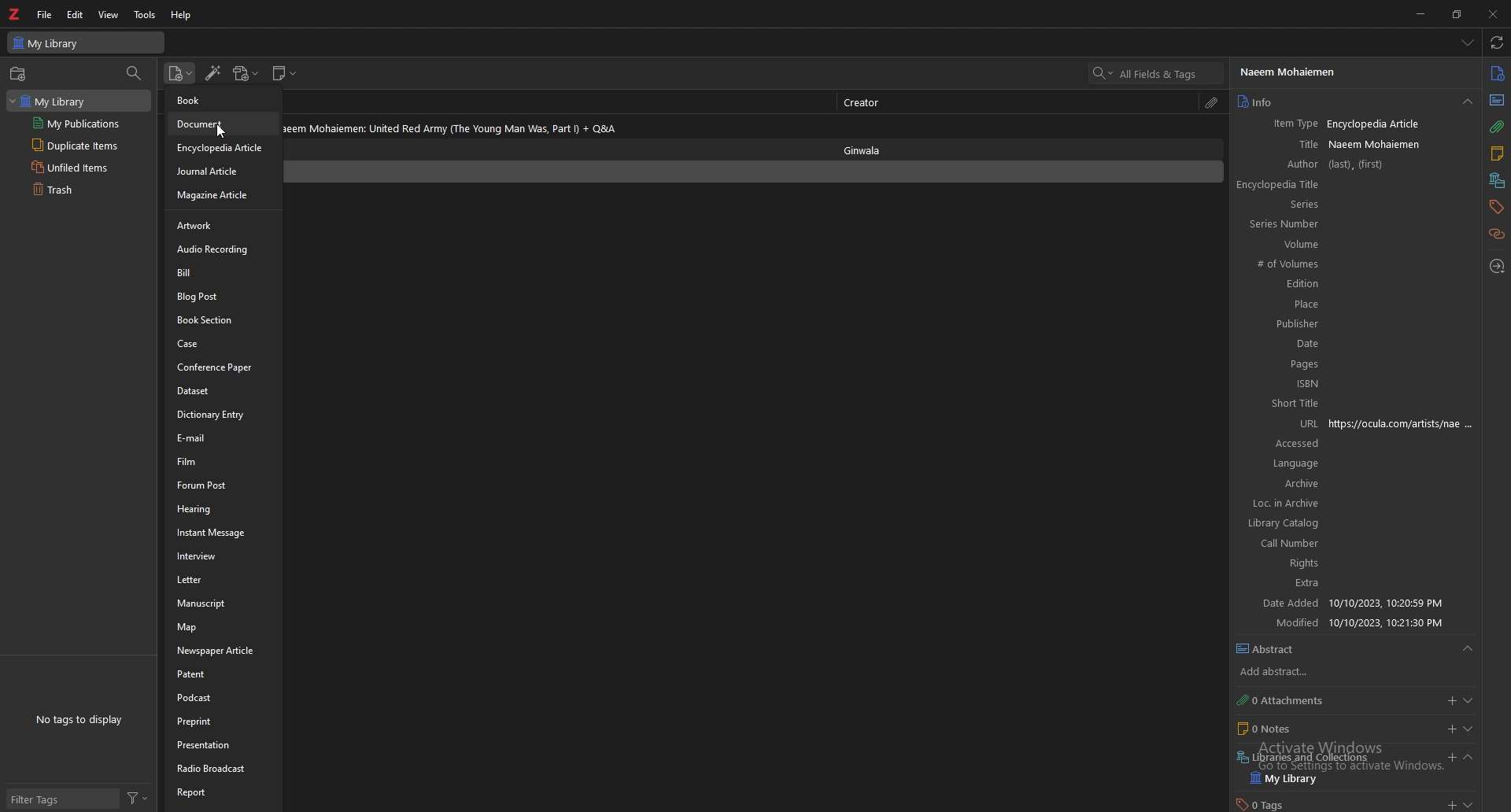 This screenshot has height=812, width=1511. Describe the element at coordinates (1279, 344) in the screenshot. I see `date` at that location.